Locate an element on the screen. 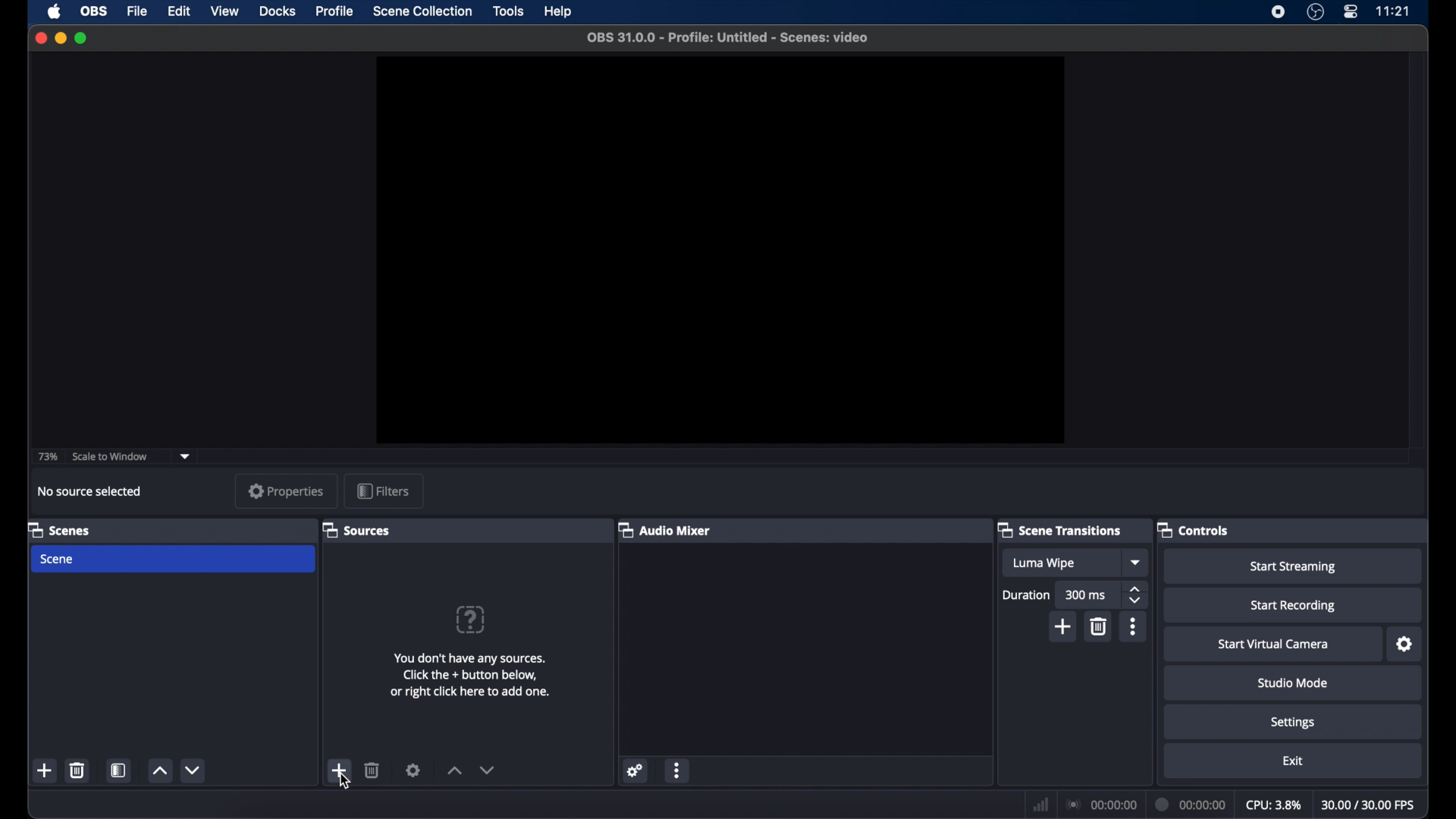  file is located at coordinates (136, 12).